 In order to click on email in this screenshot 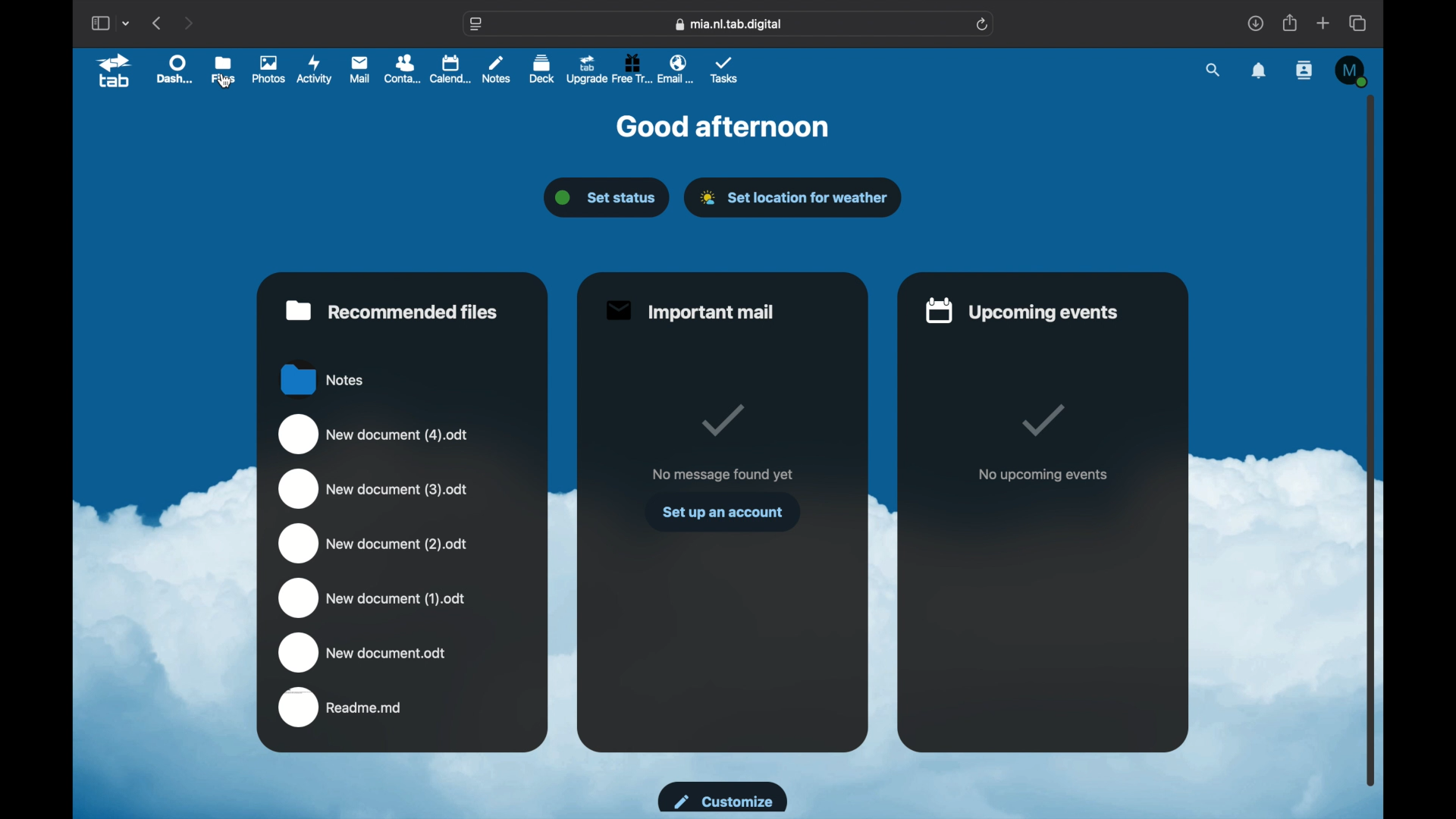, I will do `click(679, 68)`.